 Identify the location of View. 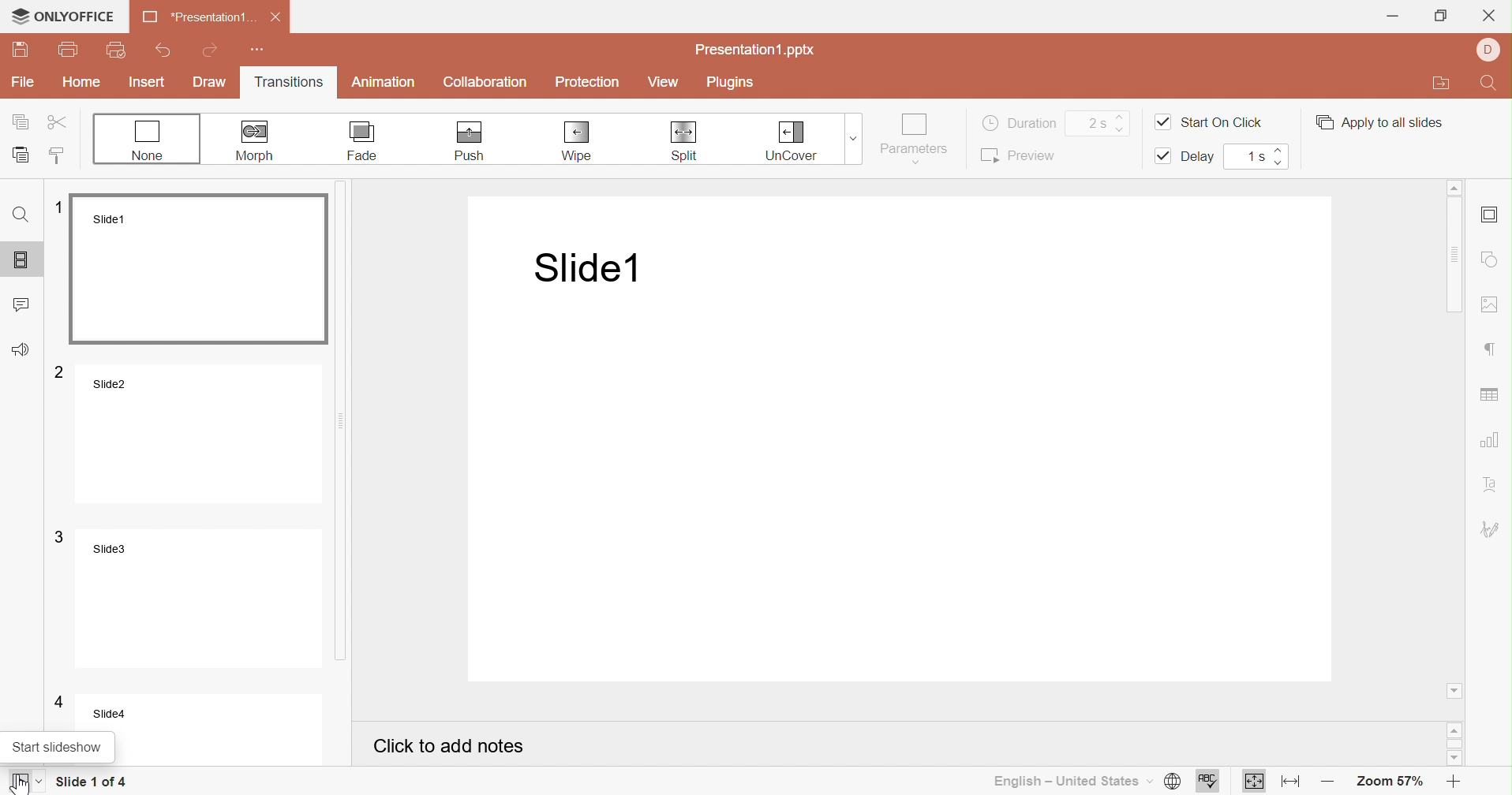
(663, 84).